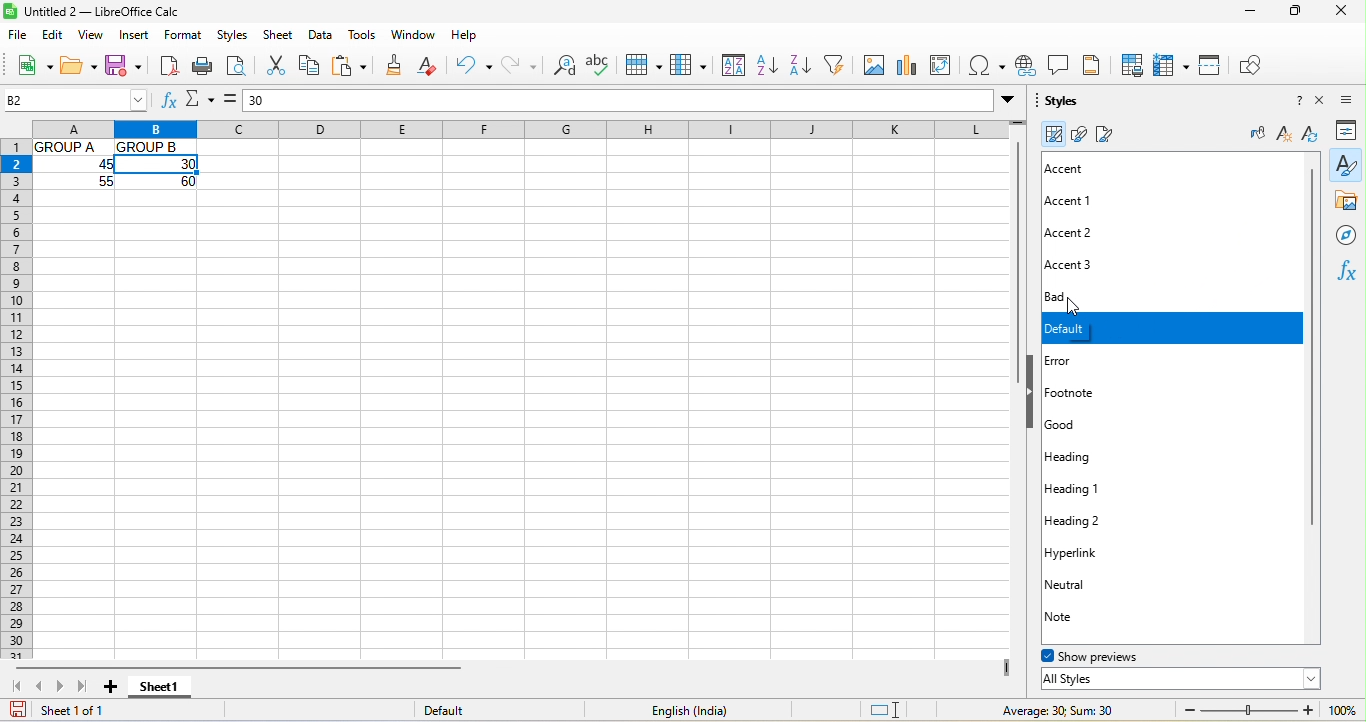  What do you see at coordinates (16, 400) in the screenshot?
I see `rows` at bounding box center [16, 400].